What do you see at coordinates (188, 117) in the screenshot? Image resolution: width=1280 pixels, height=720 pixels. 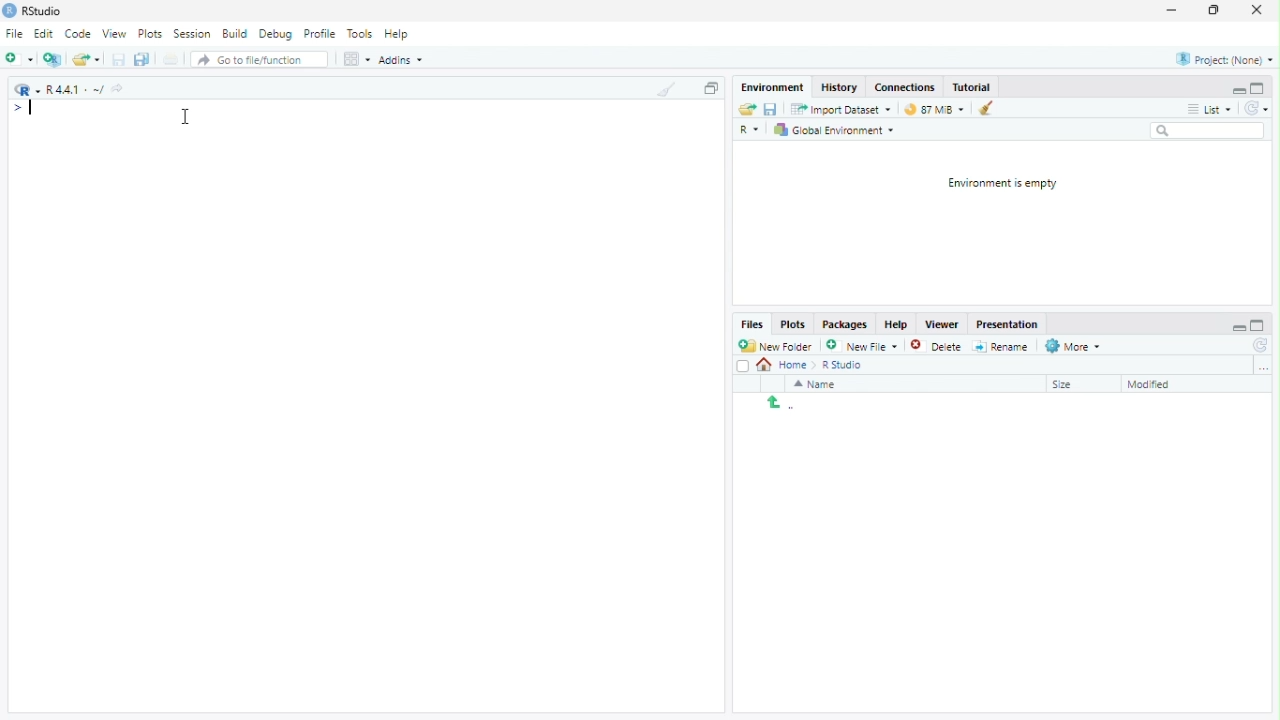 I see `Cursor` at bounding box center [188, 117].